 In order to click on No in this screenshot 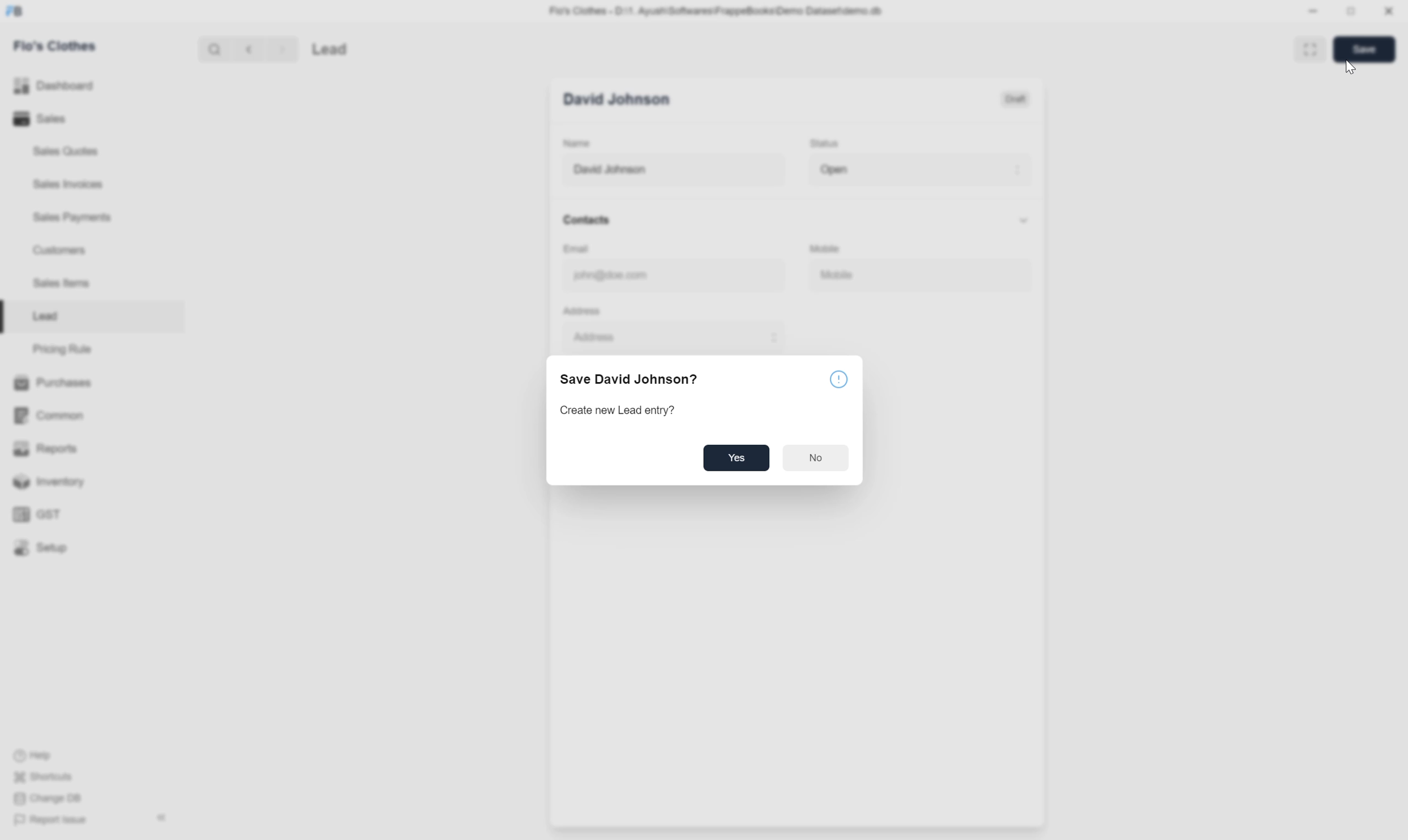, I will do `click(818, 456)`.